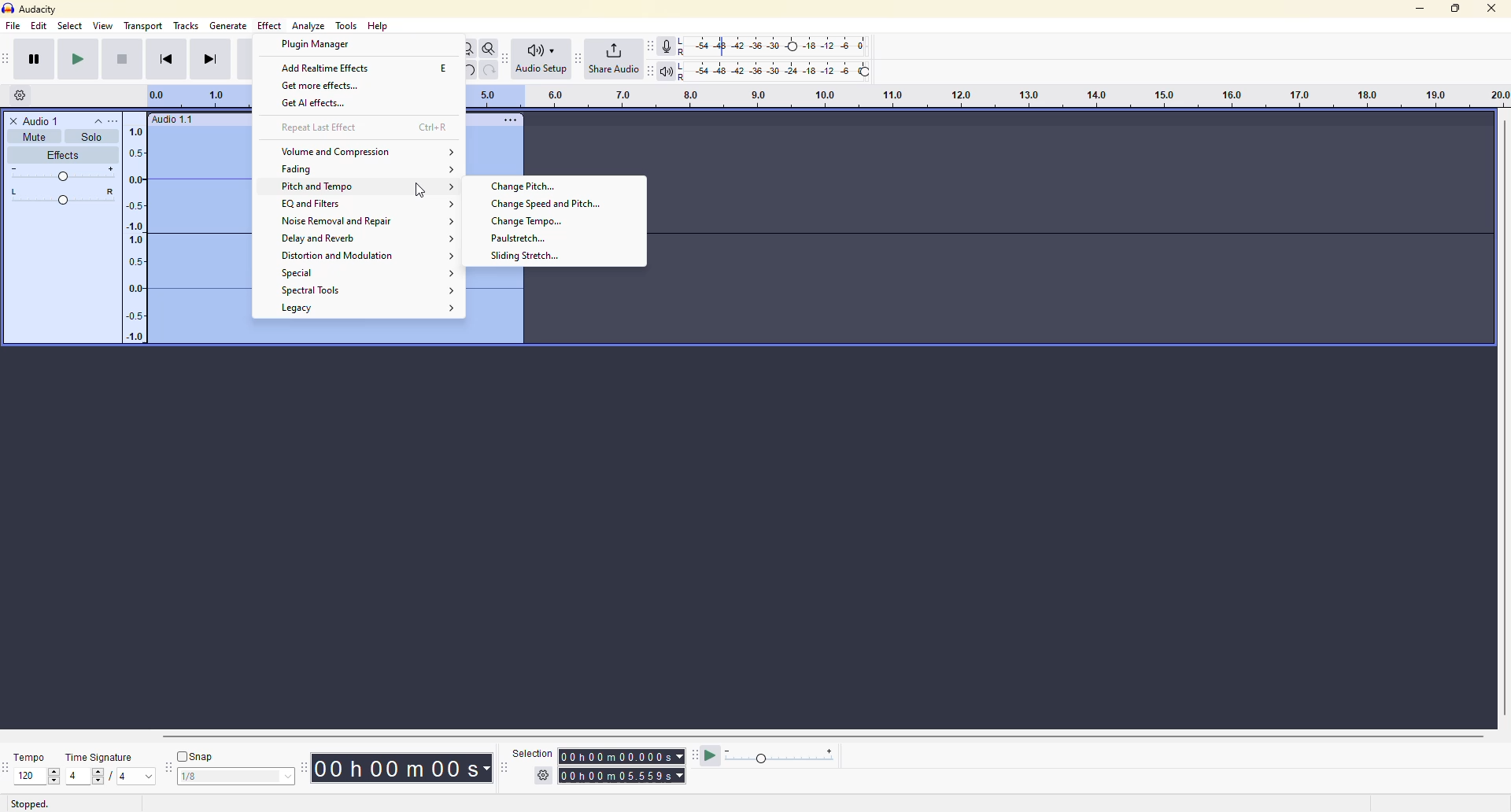 The image size is (1511, 812). I want to click on tempo, so click(33, 756).